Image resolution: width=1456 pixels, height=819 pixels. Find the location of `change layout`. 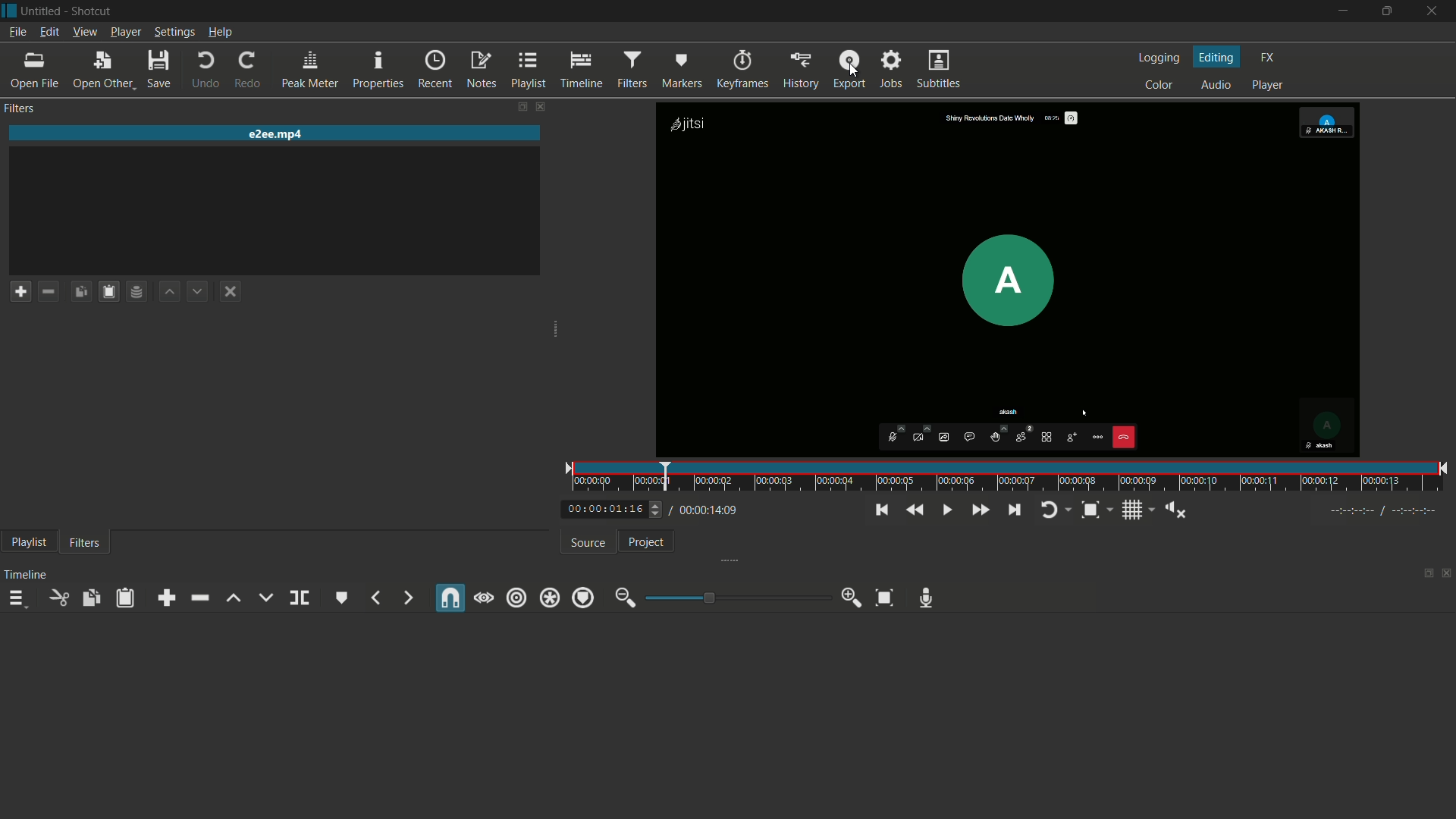

change layout is located at coordinates (1423, 577).